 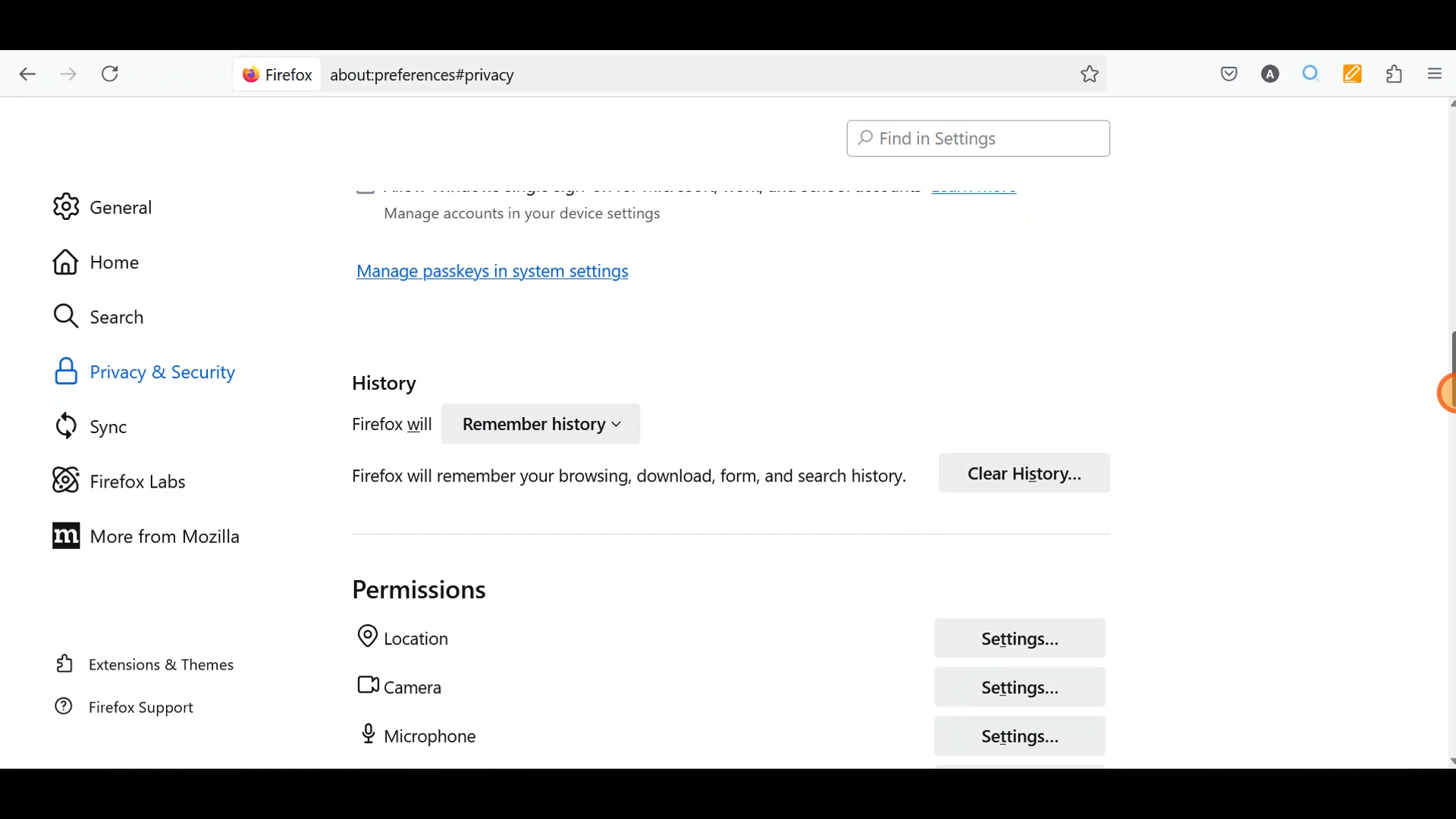 What do you see at coordinates (517, 212) in the screenshot?
I see `Manage accounts in your device settings` at bounding box center [517, 212].